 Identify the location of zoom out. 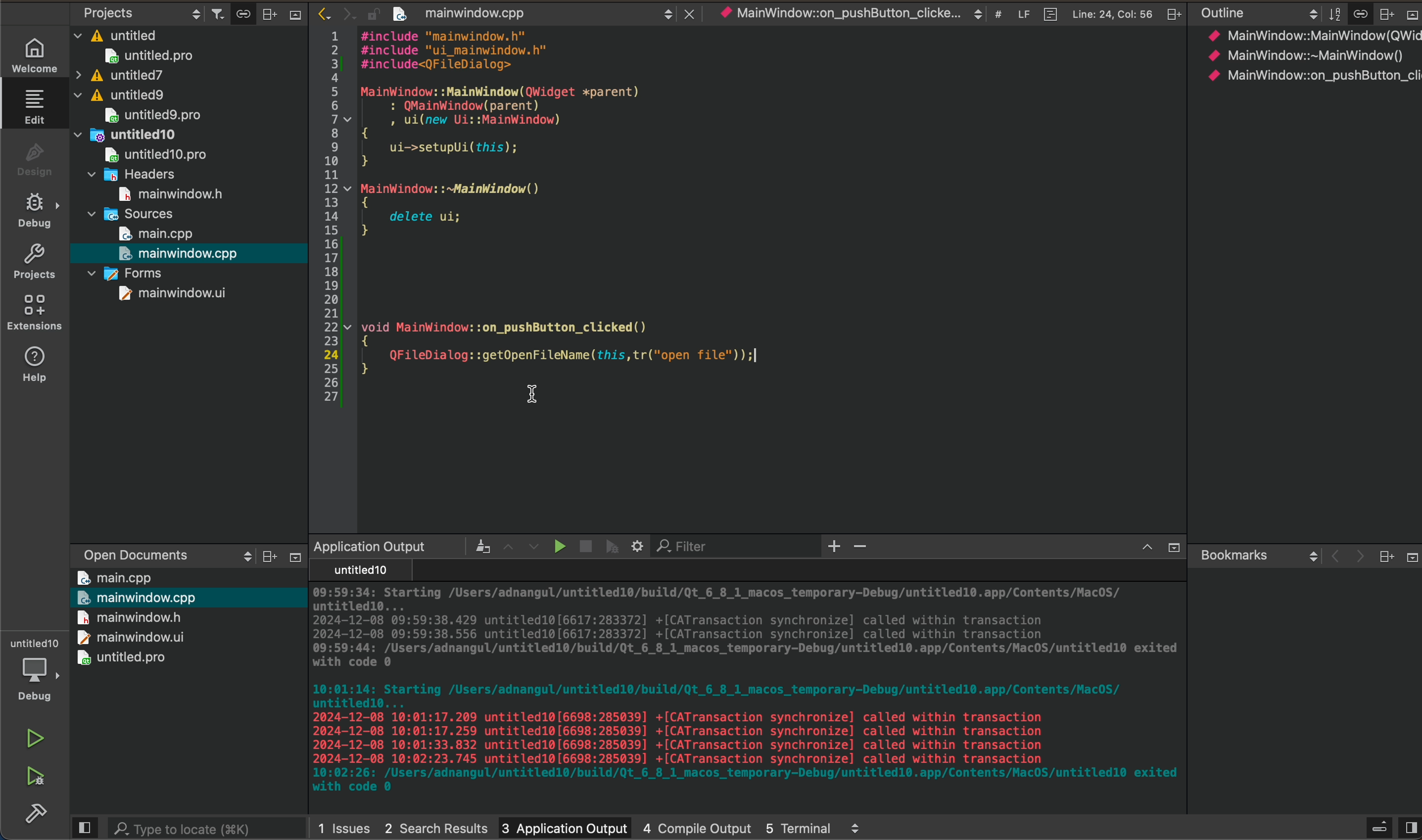
(864, 548).